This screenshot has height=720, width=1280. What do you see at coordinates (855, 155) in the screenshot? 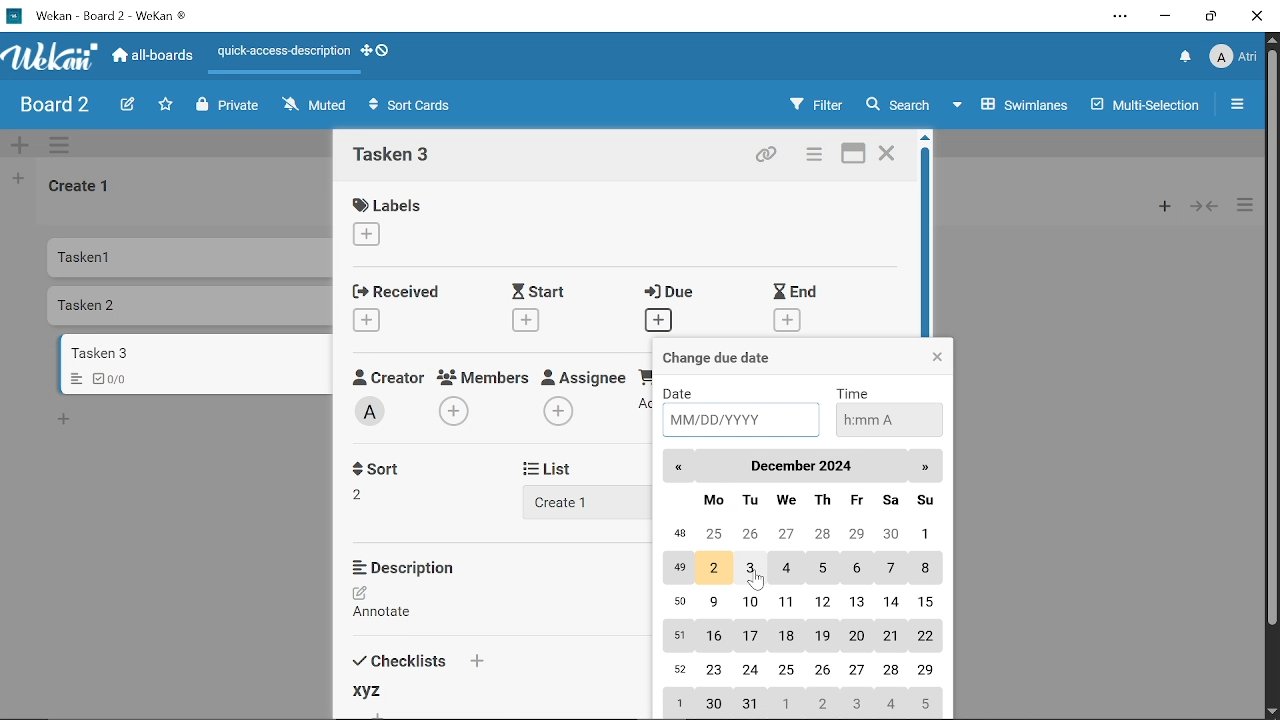
I see `maximize card` at bounding box center [855, 155].